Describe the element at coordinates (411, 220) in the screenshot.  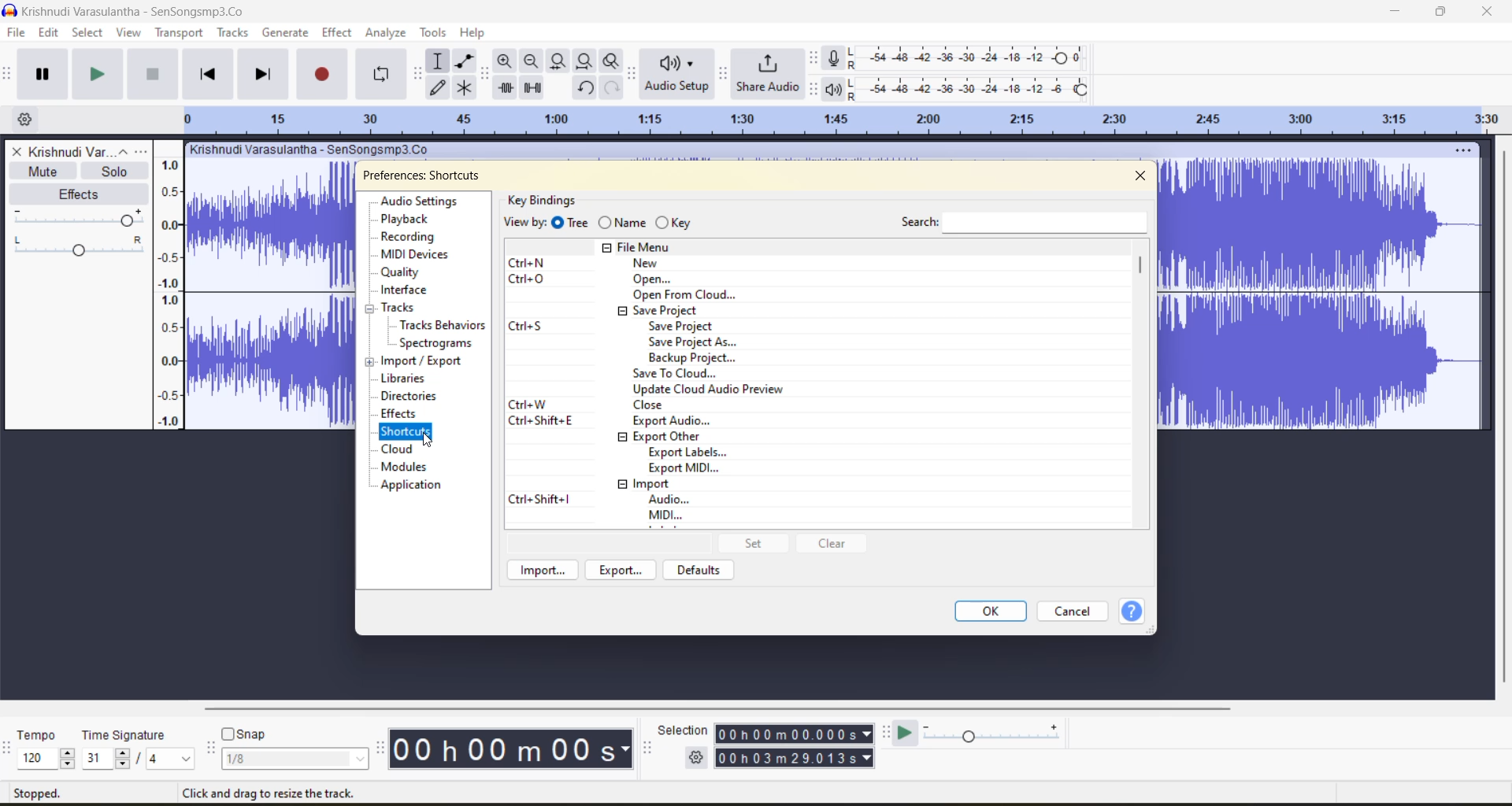
I see `playback` at that location.